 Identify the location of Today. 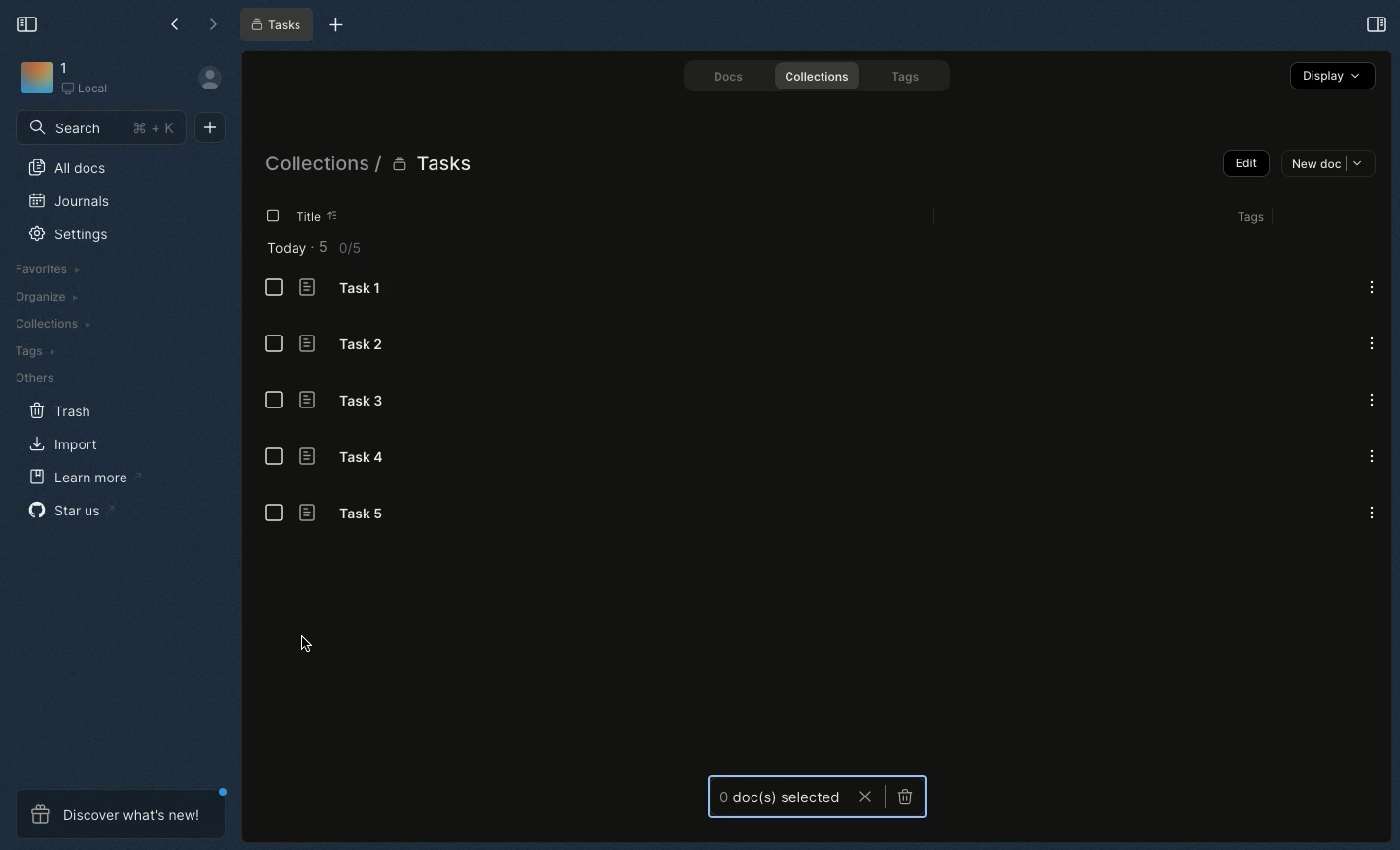
(288, 249).